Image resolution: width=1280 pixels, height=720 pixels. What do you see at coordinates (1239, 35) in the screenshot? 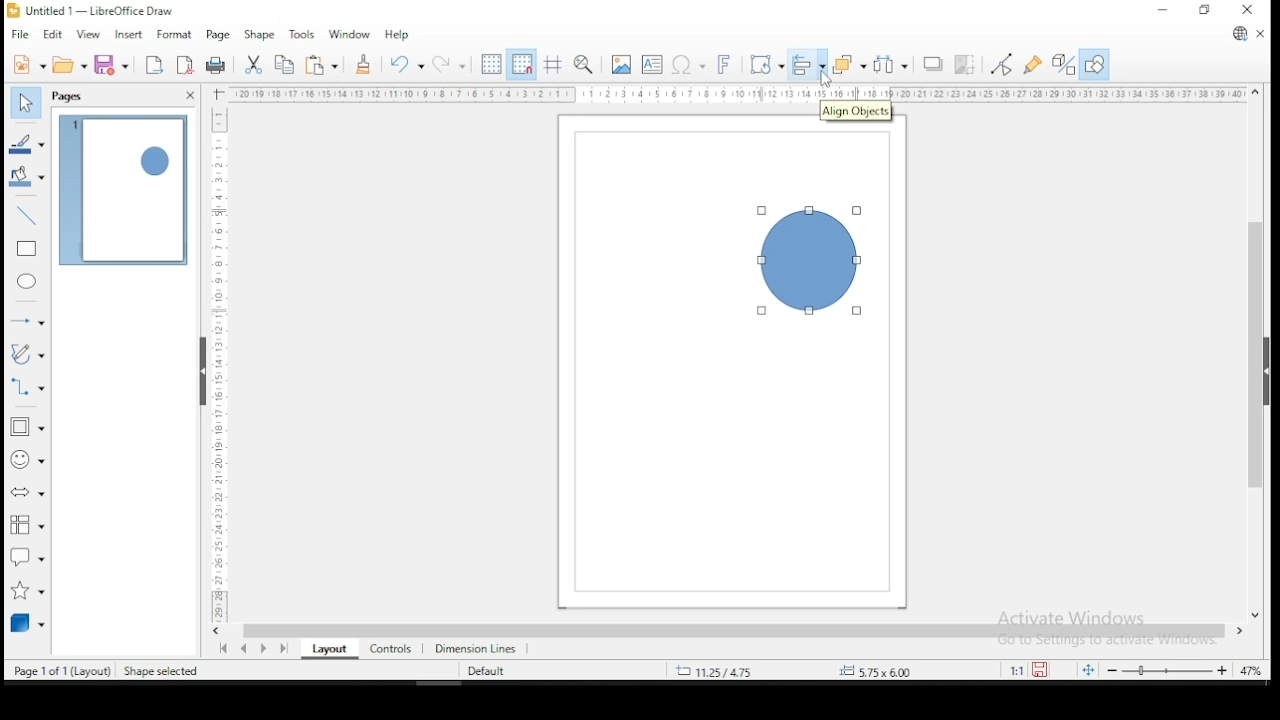
I see `libreoffice update` at bounding box center [1239, 35].